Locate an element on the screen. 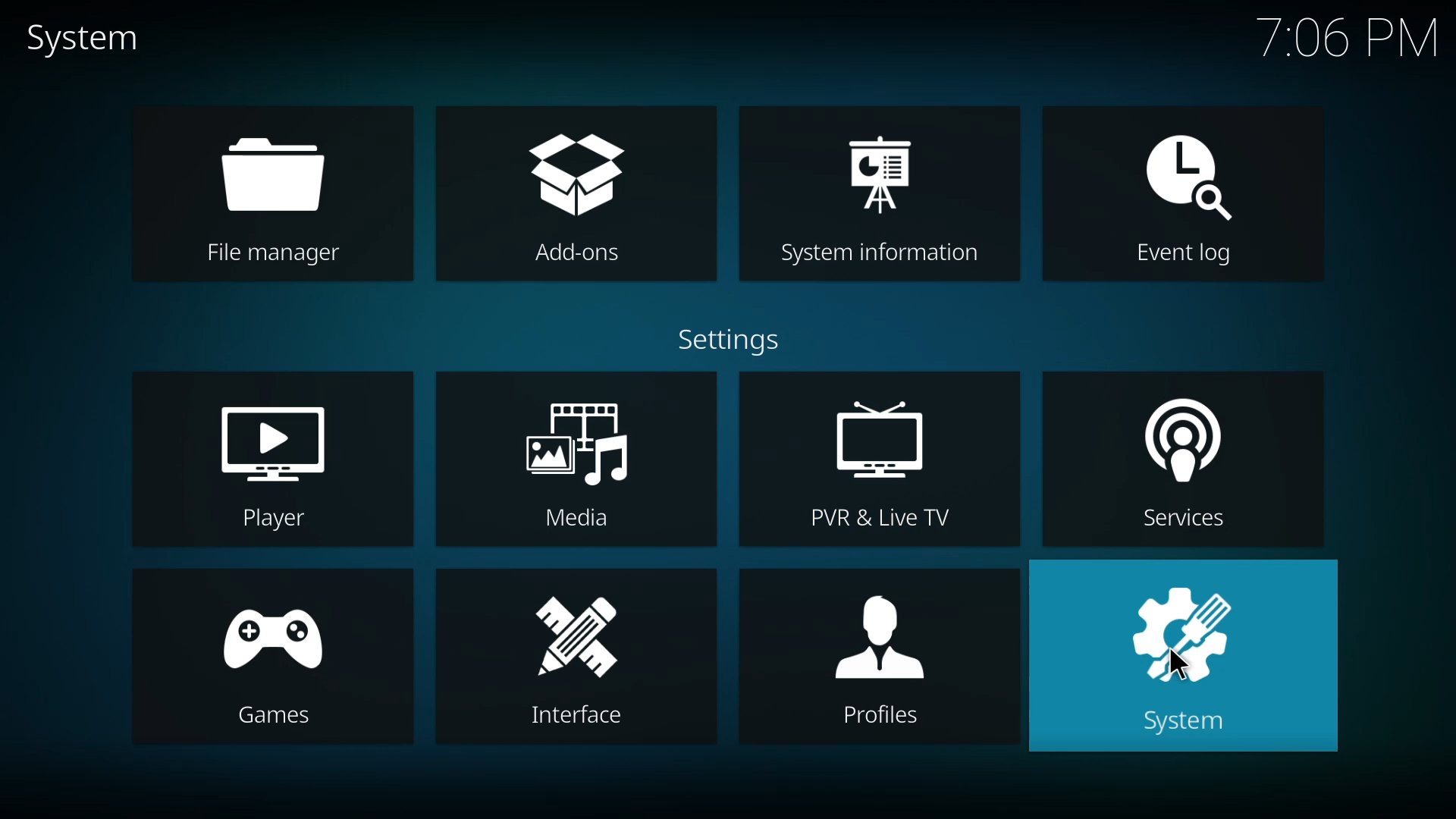 This screenshot has width=1456, height=819. file manager is located at coordinates (275, 198).